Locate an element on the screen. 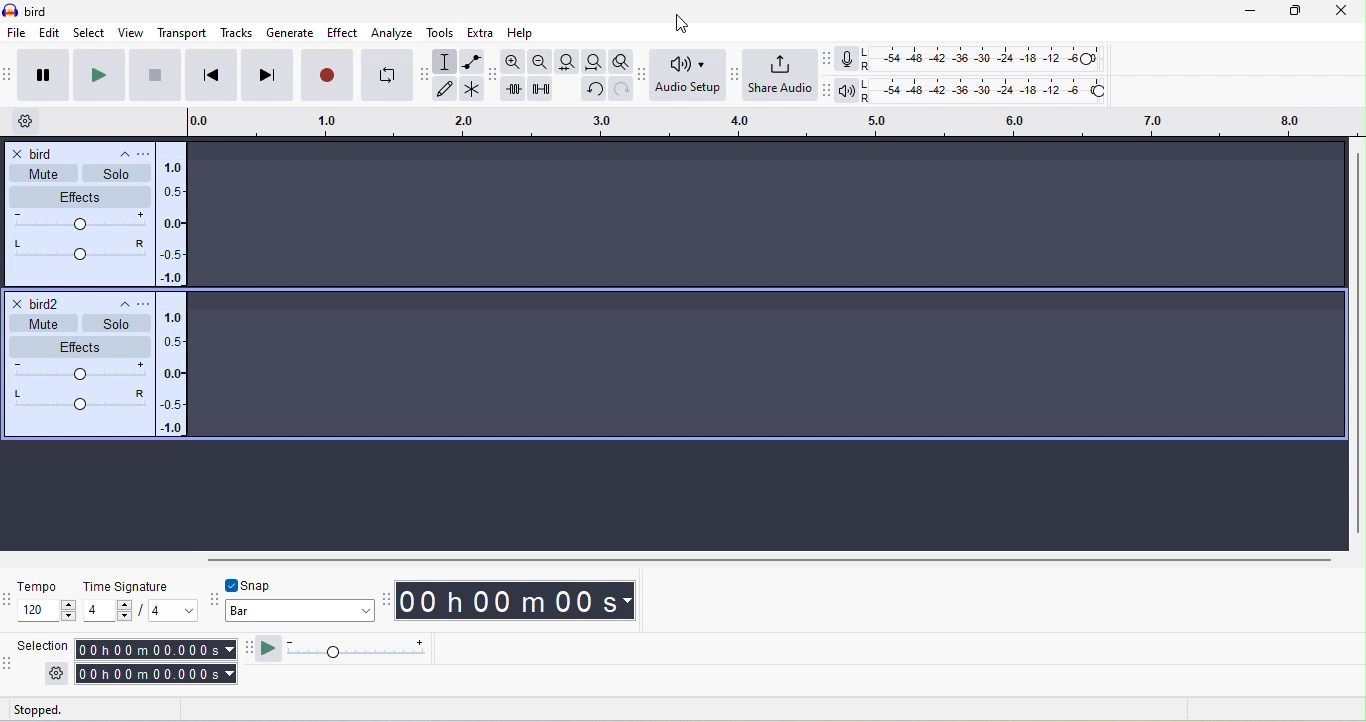  record is located at coordinates (329, 74).